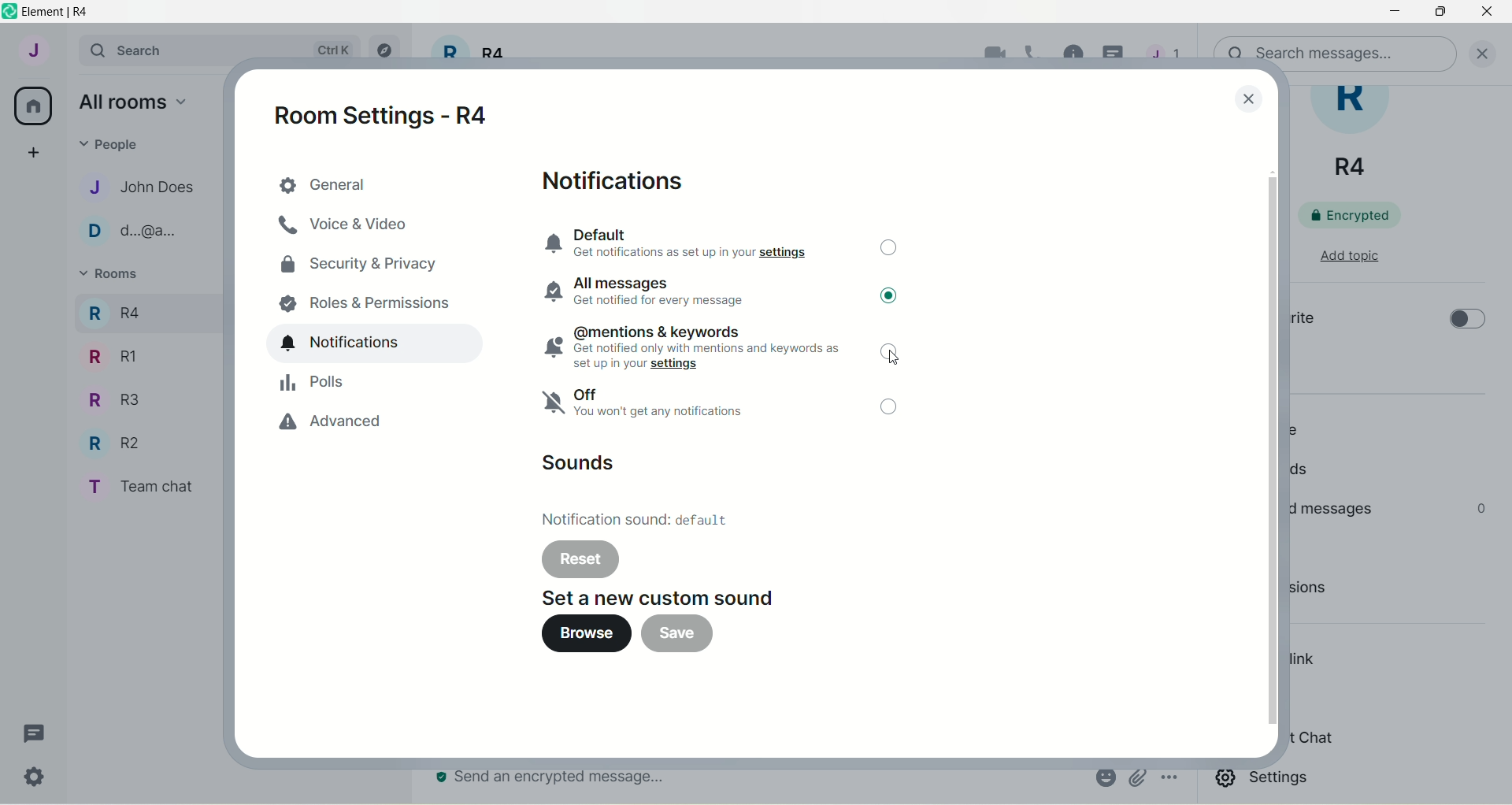  What do you see at coordinates (1164, 57) in the screenshot?
I see `threads` at bounding box center [1164, 57].